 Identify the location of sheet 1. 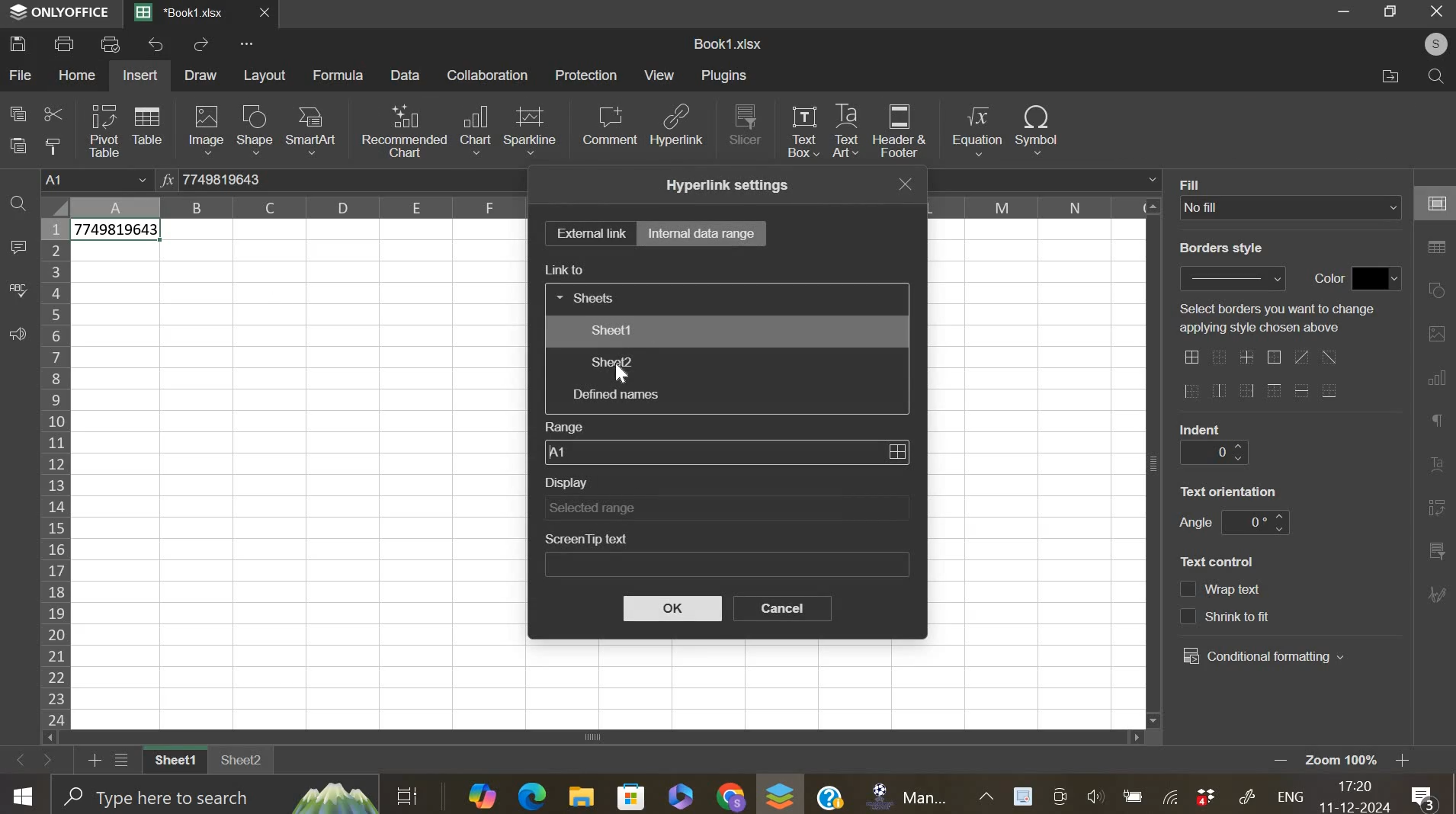
(611, 329).